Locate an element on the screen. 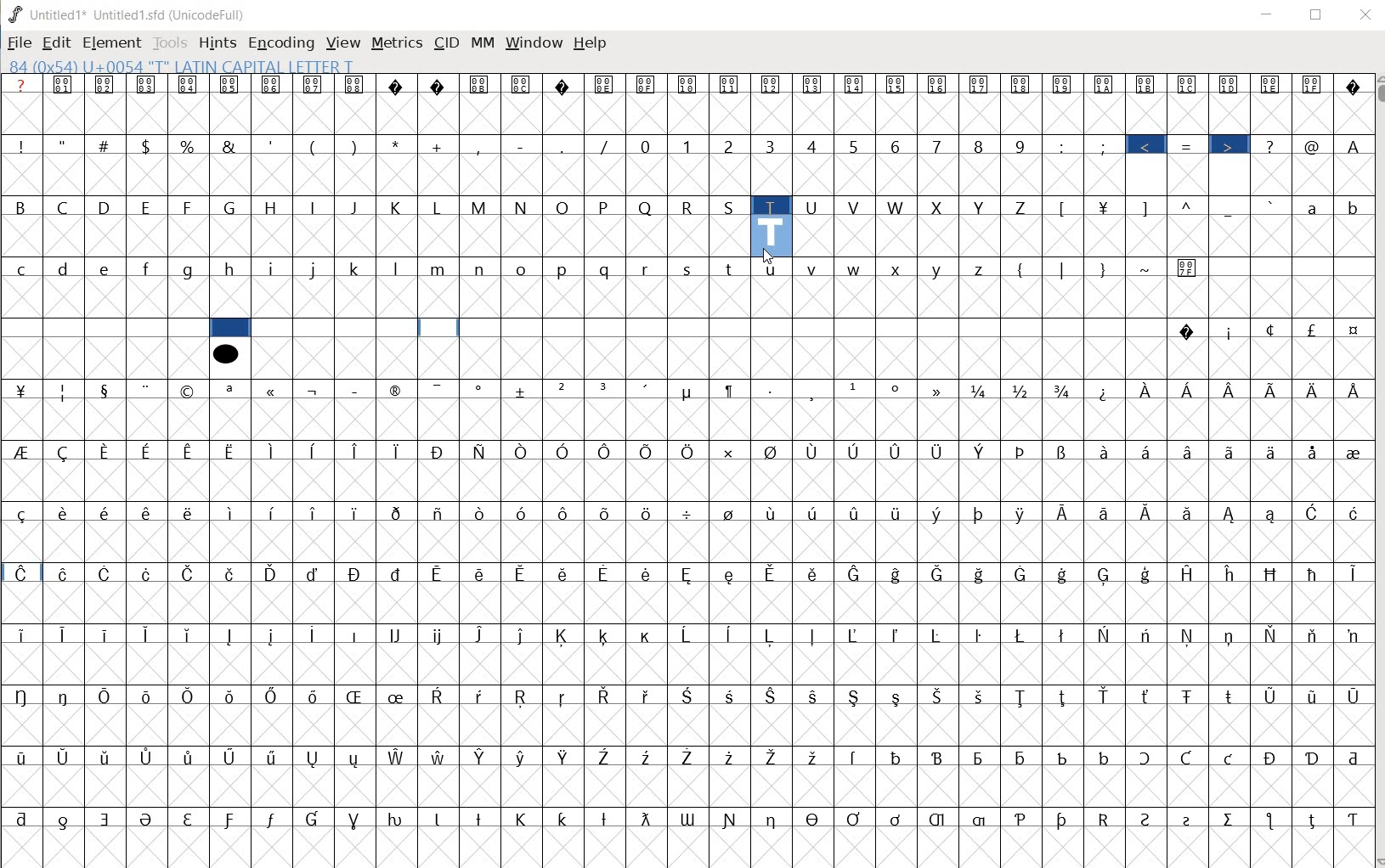 This screenshot has height=868, width=1385. Symbol is located at coordinates (1024, 696).